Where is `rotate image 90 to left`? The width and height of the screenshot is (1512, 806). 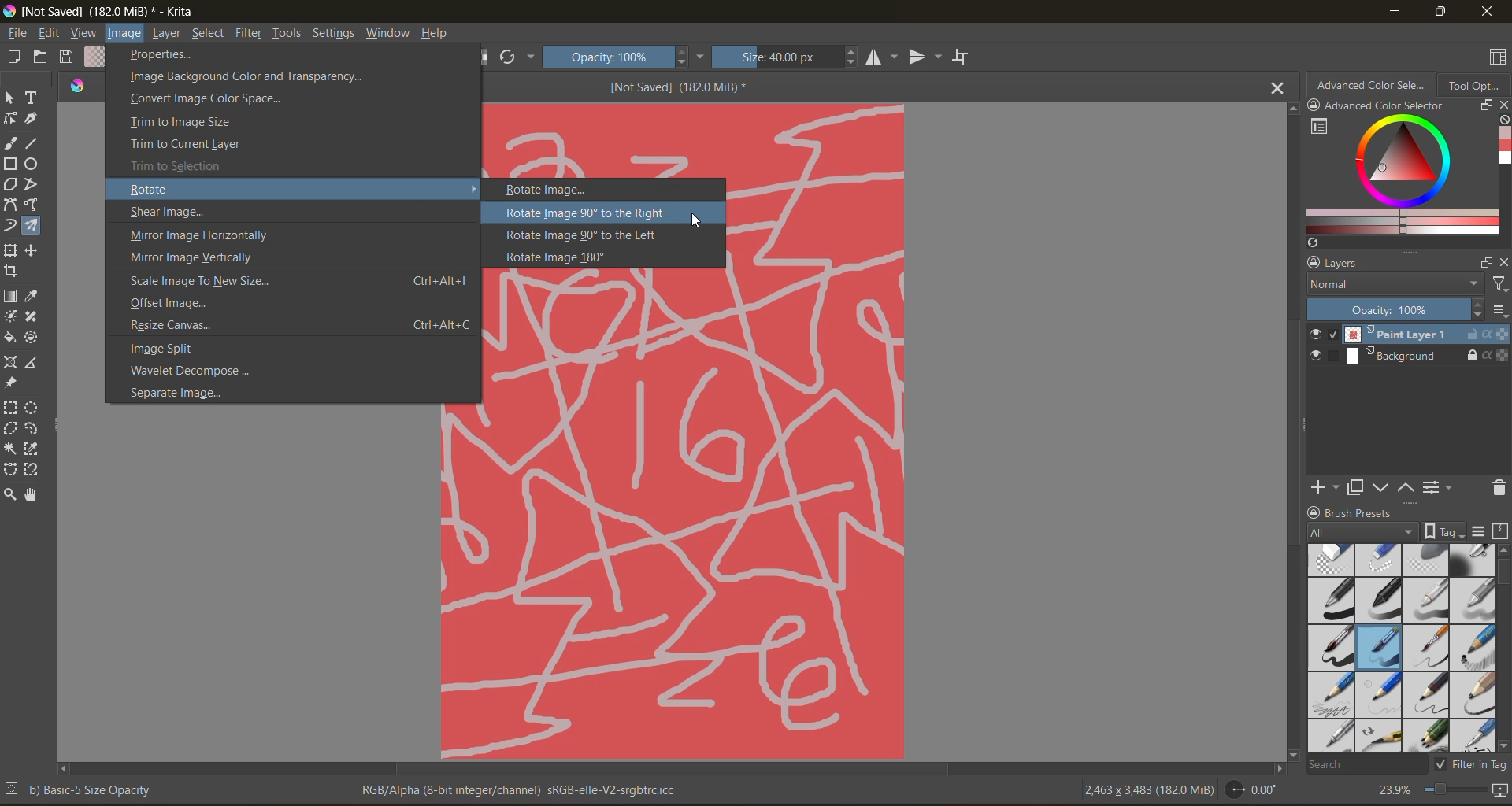 rotate image 90 to left is located at coordinates (595, 235).